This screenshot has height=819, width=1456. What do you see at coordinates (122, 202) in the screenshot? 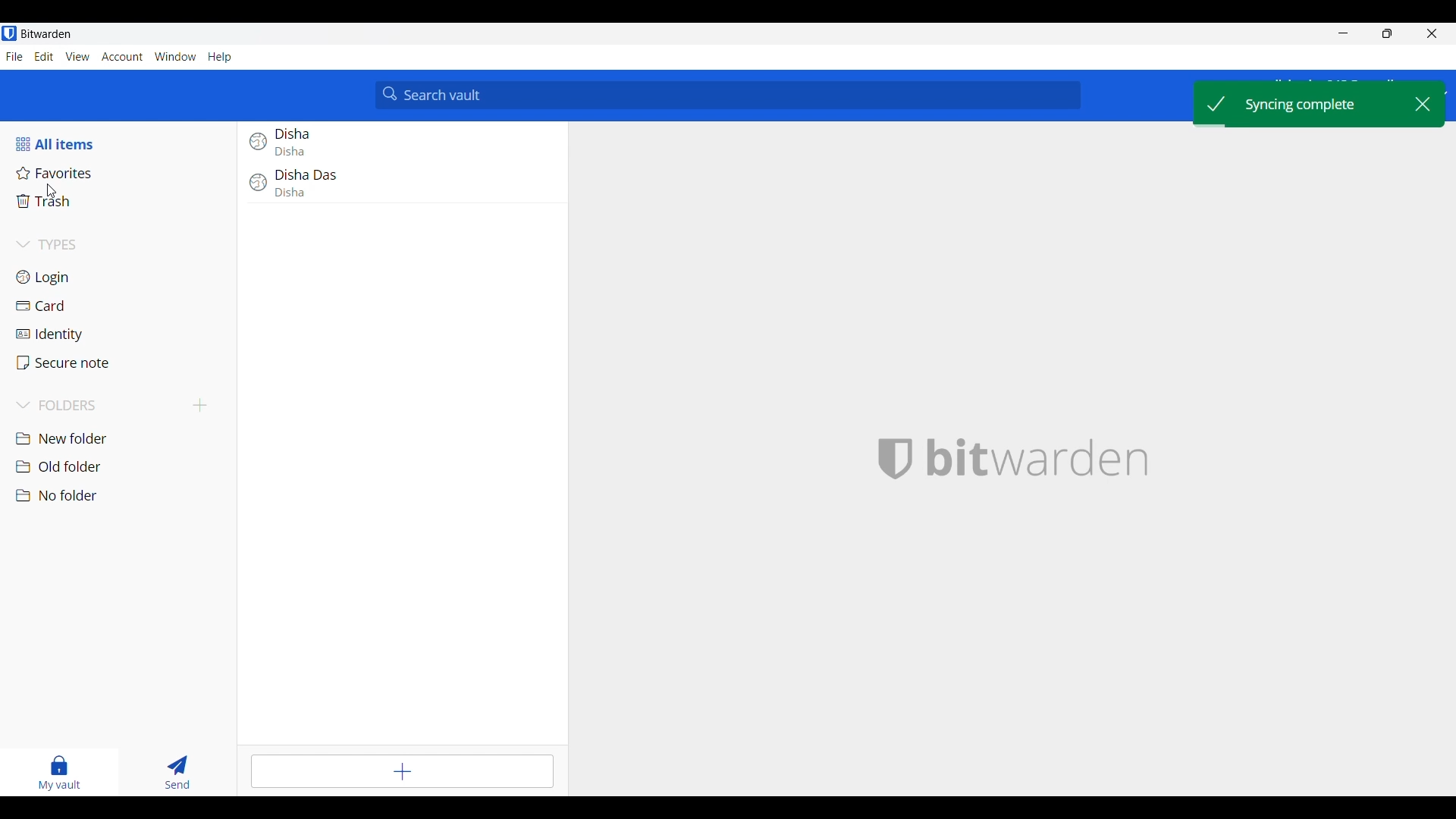
I see `Trash` at bounding box center [122, 202].